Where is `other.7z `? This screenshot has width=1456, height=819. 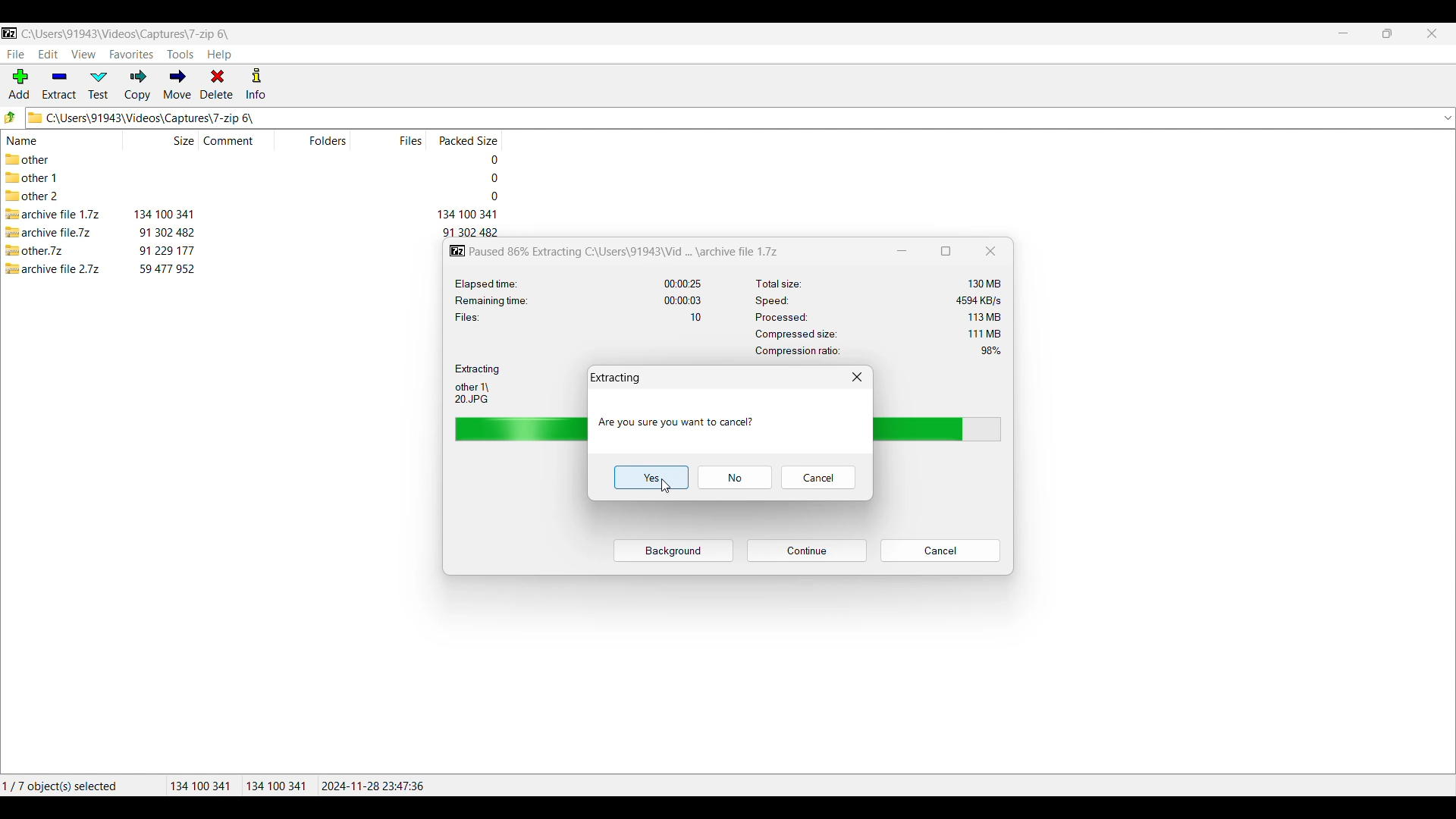
other.7z  is located at coordinates (35, 250).